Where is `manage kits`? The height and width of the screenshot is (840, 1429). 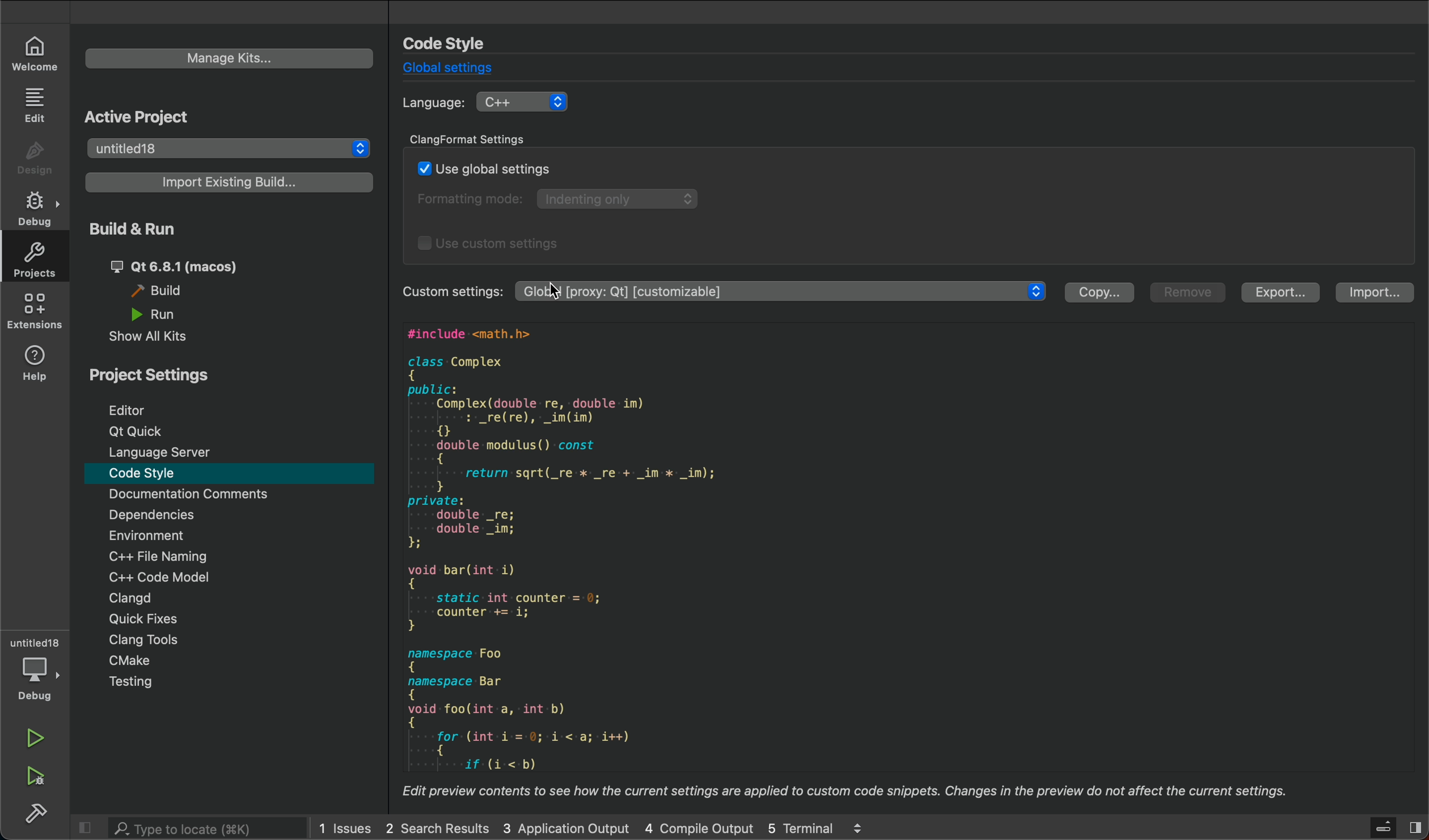 manage kits is located at coordinates (225, 58).